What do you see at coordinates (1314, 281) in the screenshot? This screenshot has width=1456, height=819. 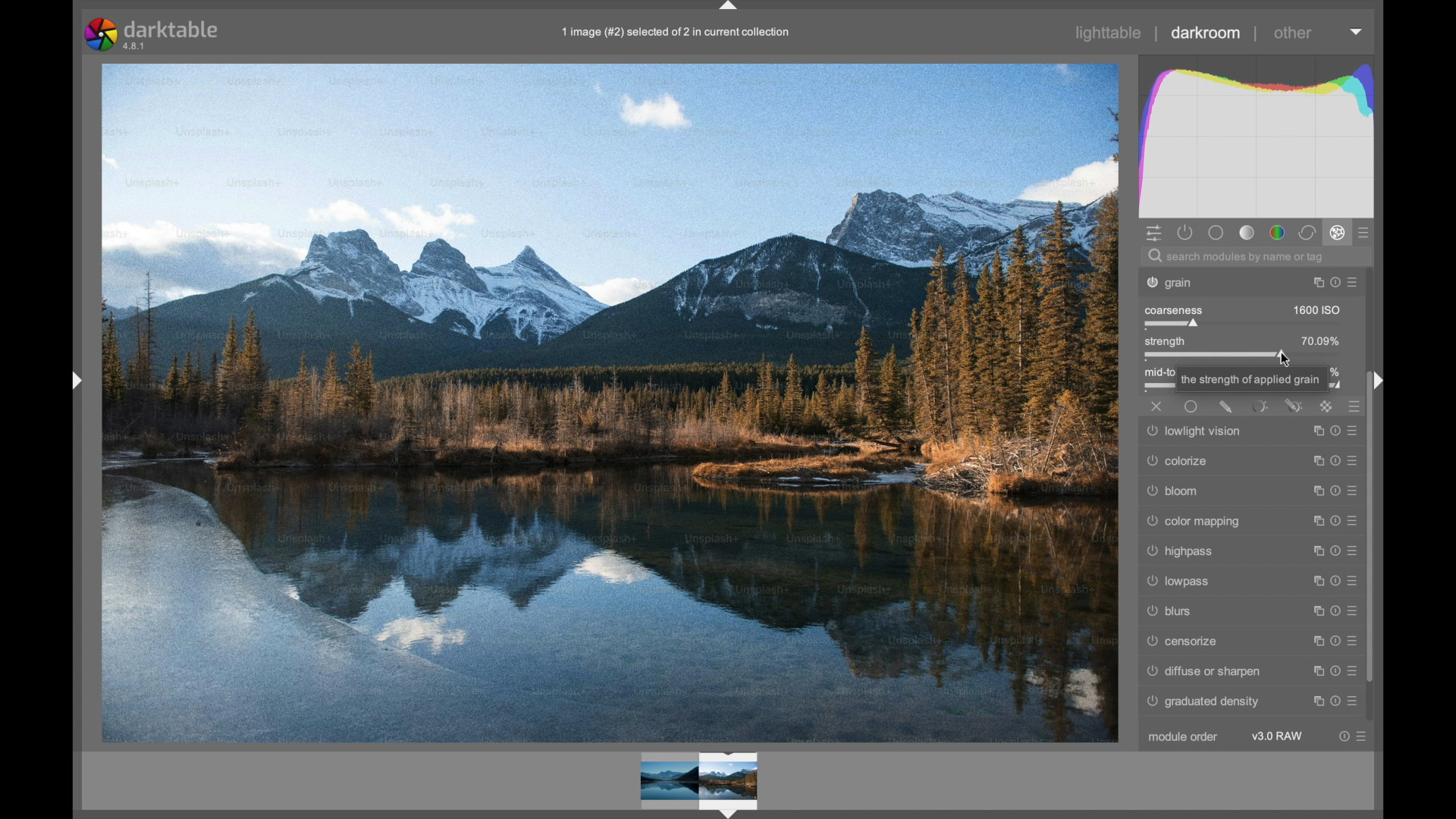 I see `instance` at bounding box center [1314, 281].